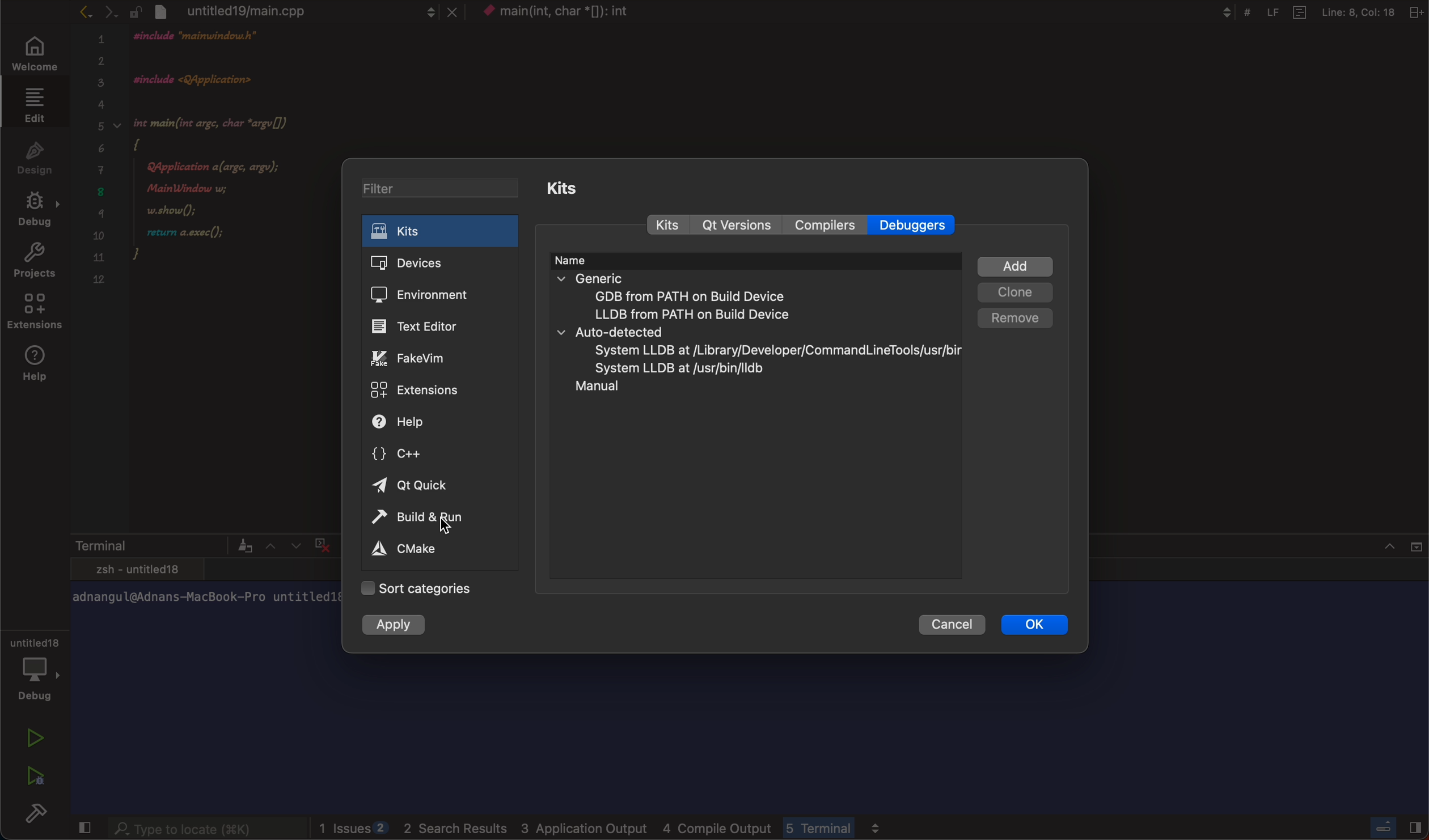 The width and height of the screenshot is (1429, 840). Describe the element at coordinates (826, 226) in the screenshot. I see `compilers` at that location.